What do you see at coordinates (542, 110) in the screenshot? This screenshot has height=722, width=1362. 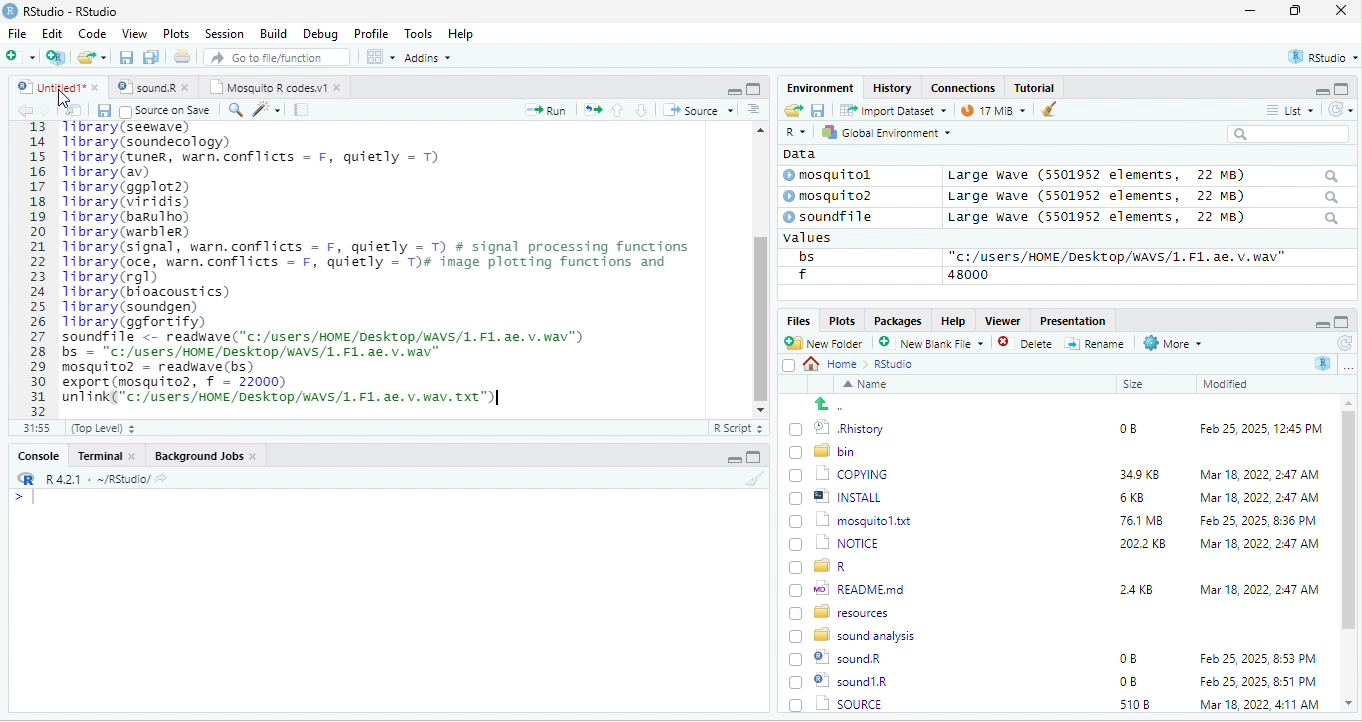 I see `Run` at bounding box center [542, 110].